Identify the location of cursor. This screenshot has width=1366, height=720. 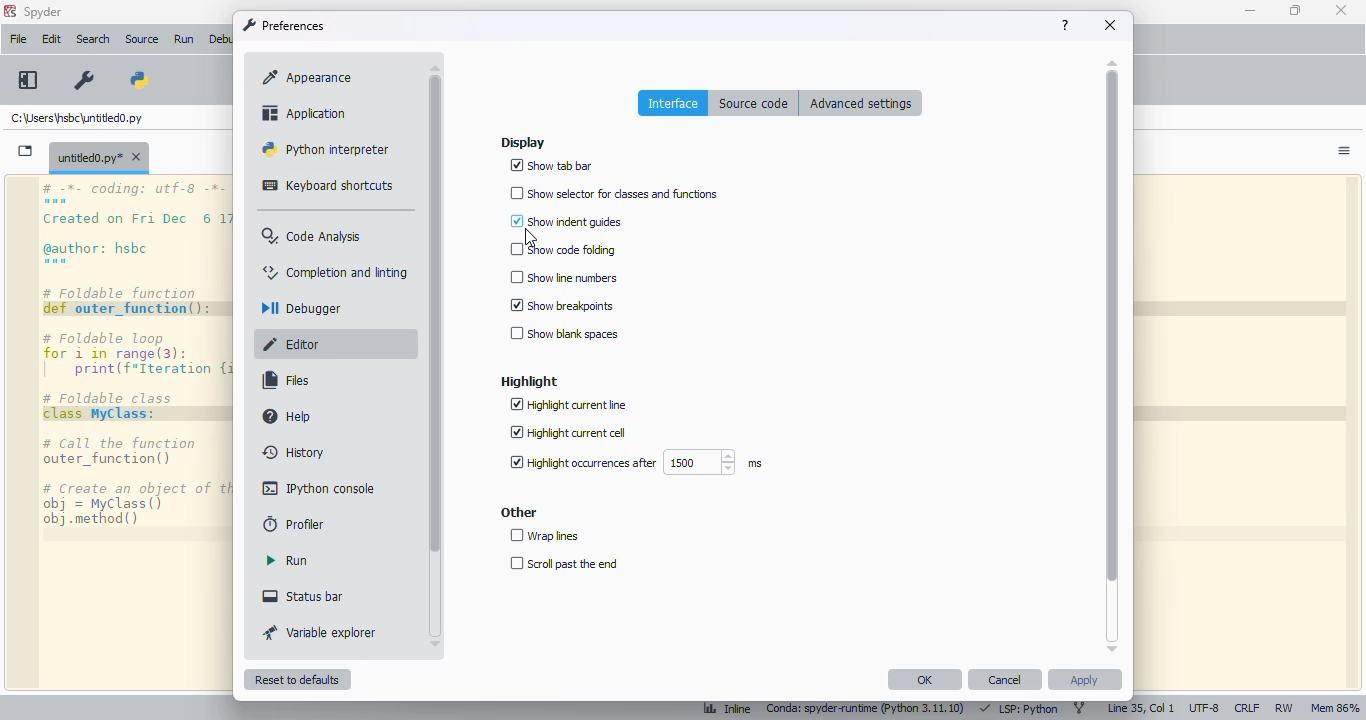
(528, 238).